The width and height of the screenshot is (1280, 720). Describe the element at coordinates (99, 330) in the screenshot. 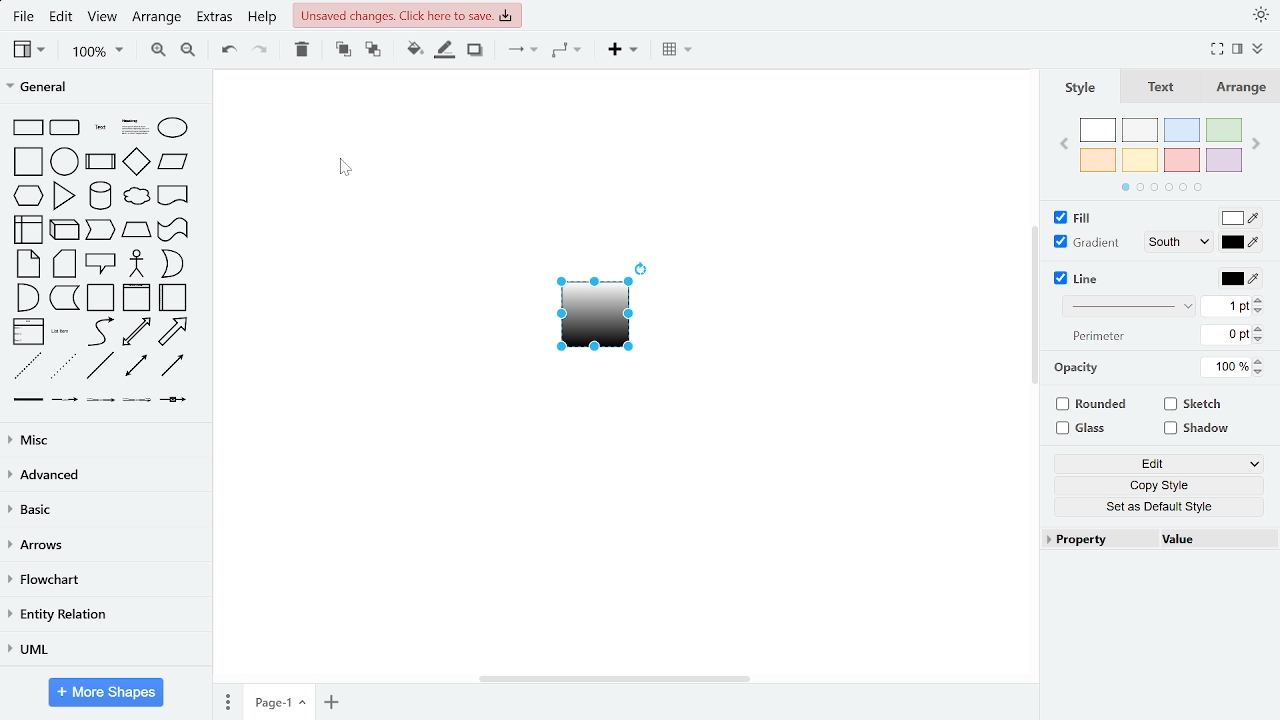

I see `general shapes` at that location.